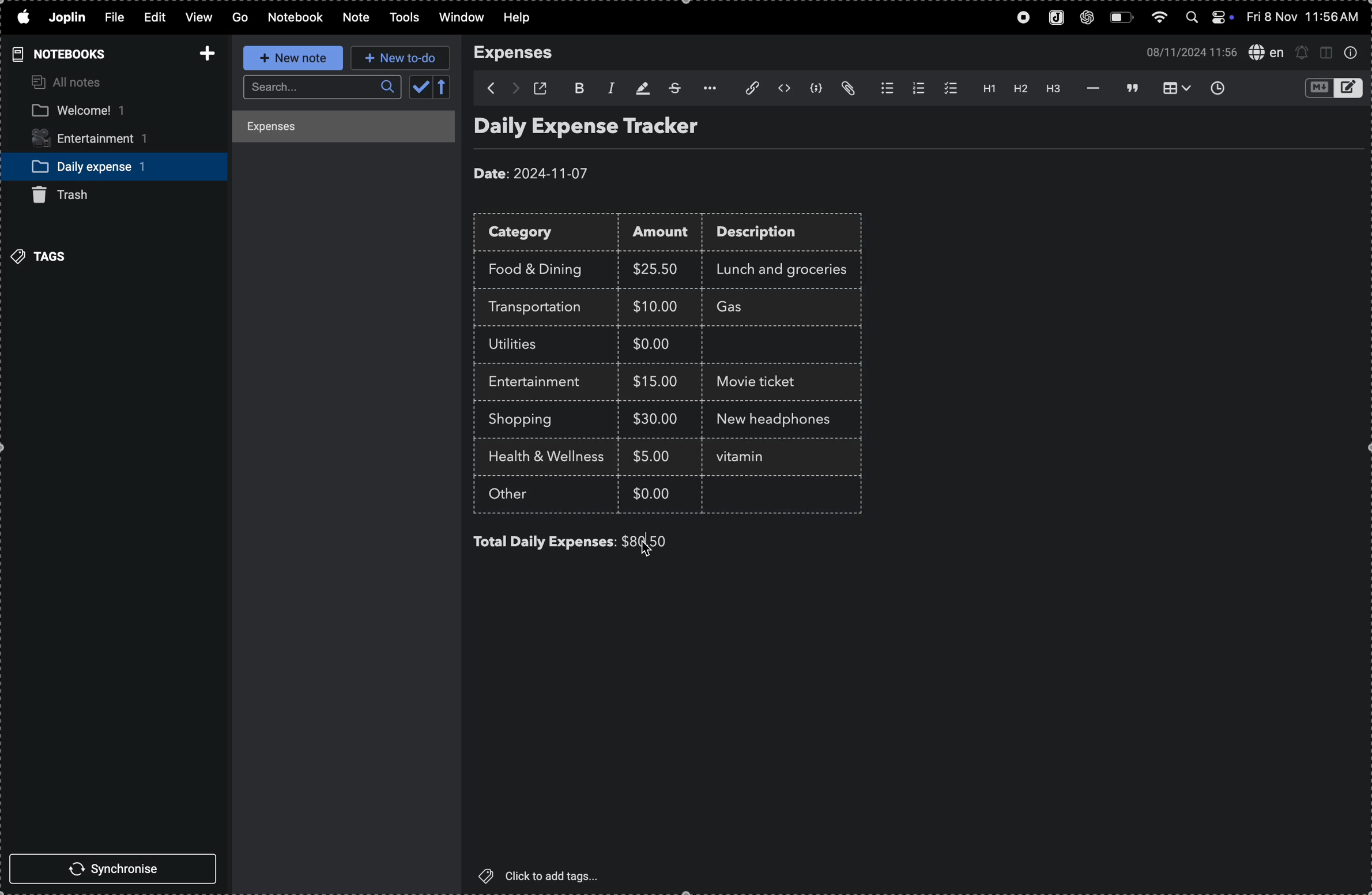 Image resolution: width=1372 pixels, height=895 pixels. What do you see at coordinates (768, 234) in the screenshot?
I see `description` at bounding box center [768, 234].